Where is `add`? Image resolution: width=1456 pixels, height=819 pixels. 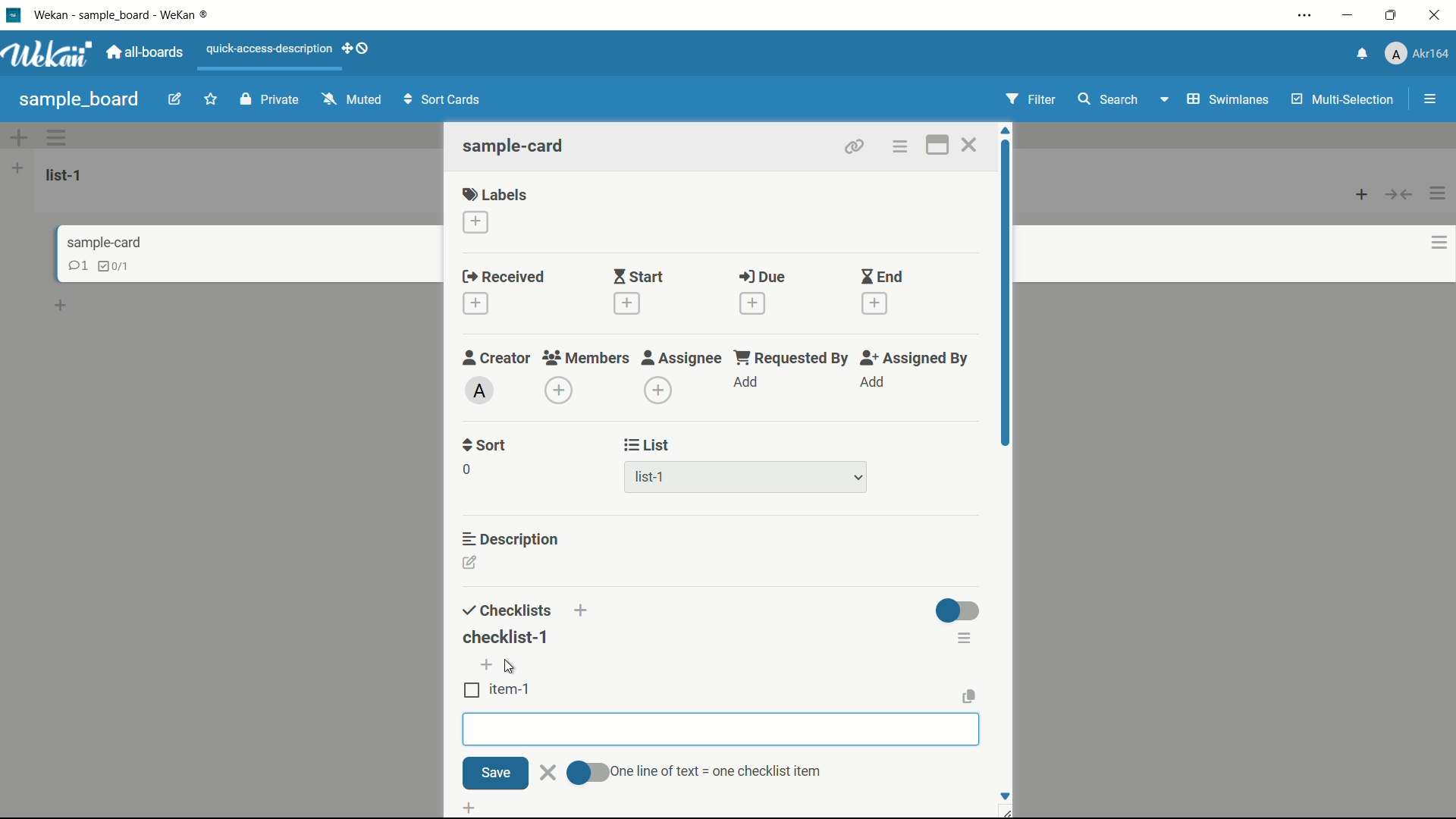
add is located at coordinates (61, 303).